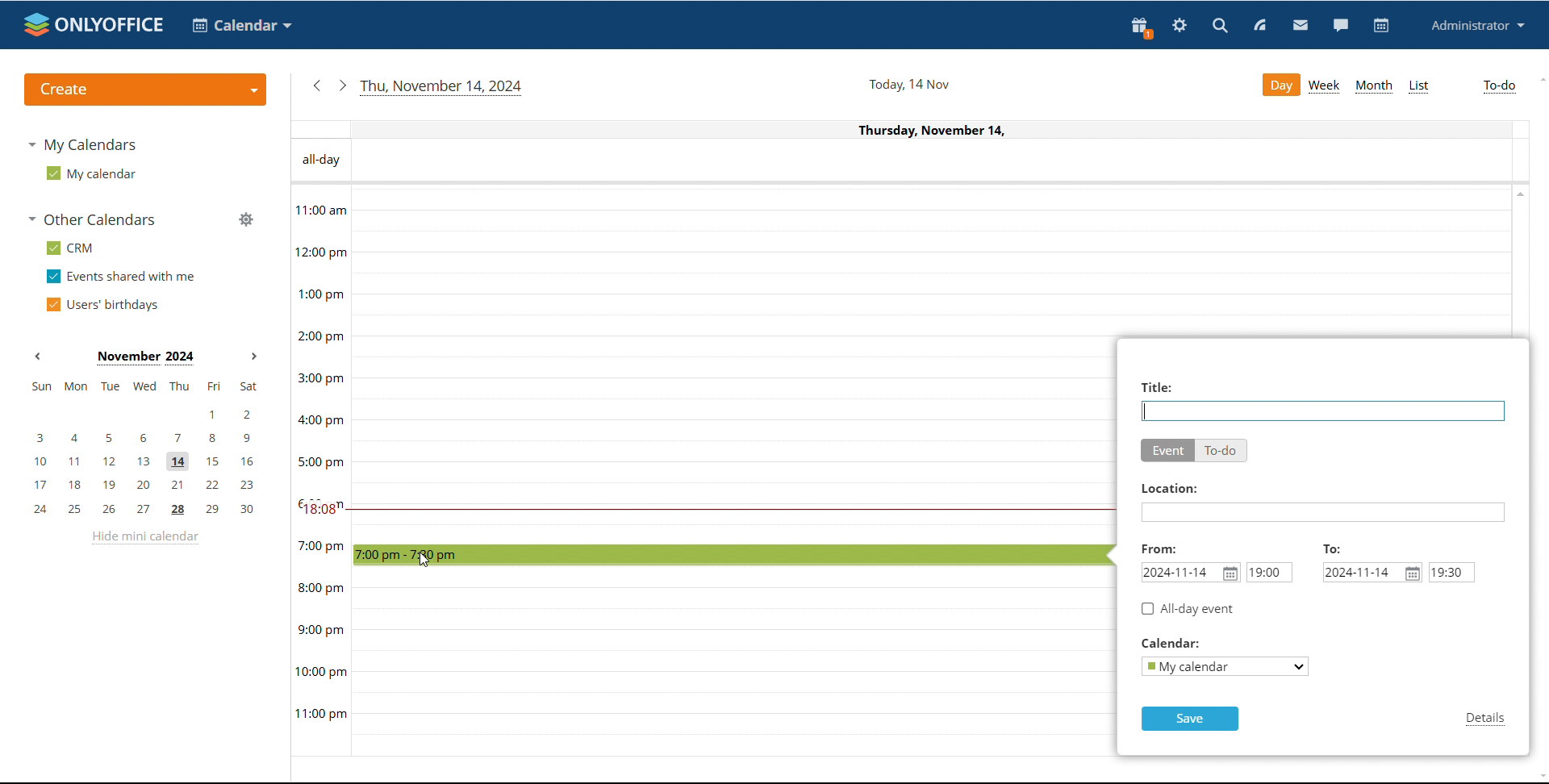 The width and height of the screenshot is (1549, 784). Describe the element at coordinates (1325, 85) in the screenshot. I see `week view` at that location.